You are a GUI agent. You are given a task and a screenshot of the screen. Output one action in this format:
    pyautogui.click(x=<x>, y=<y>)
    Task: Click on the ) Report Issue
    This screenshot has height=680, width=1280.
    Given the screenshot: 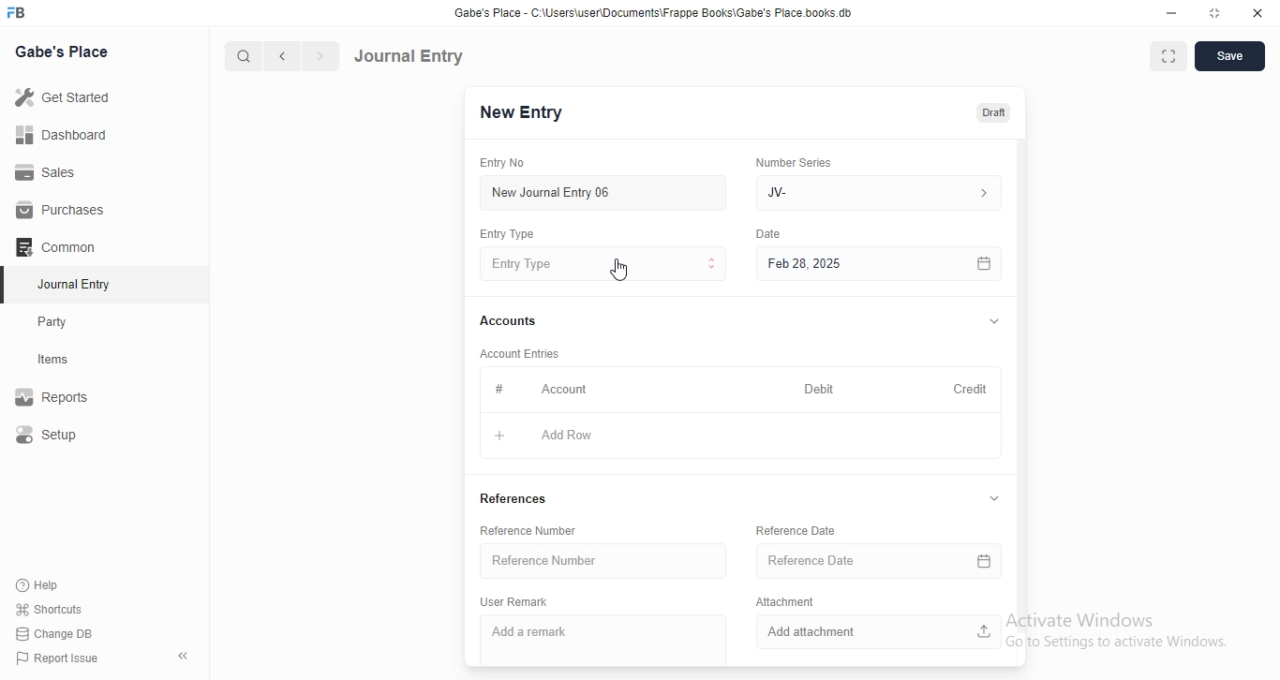 What is the action you would take?
    pyautogui.click(x=59, y=659)
    